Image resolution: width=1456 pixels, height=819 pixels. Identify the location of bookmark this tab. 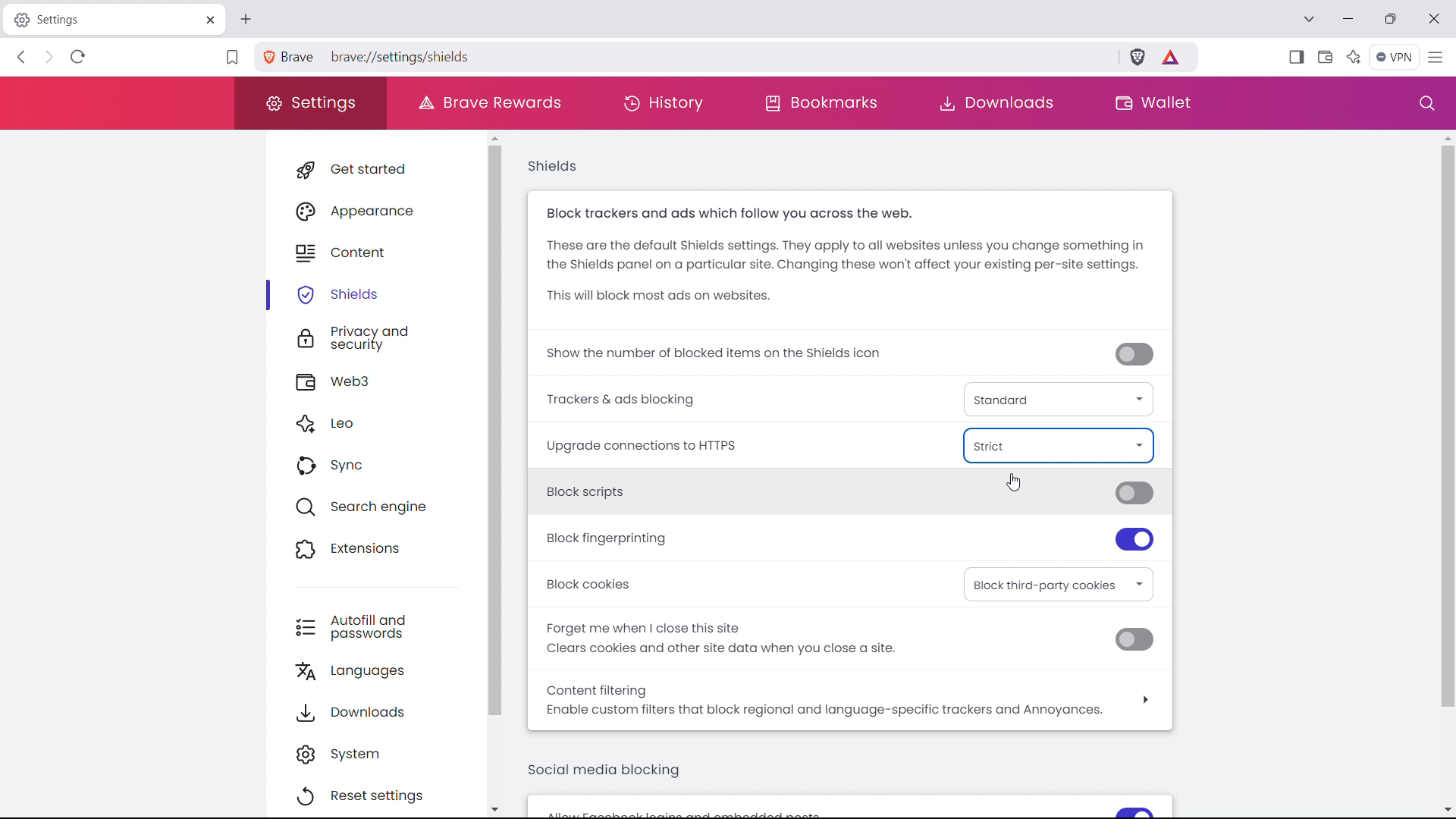
(232, 58).